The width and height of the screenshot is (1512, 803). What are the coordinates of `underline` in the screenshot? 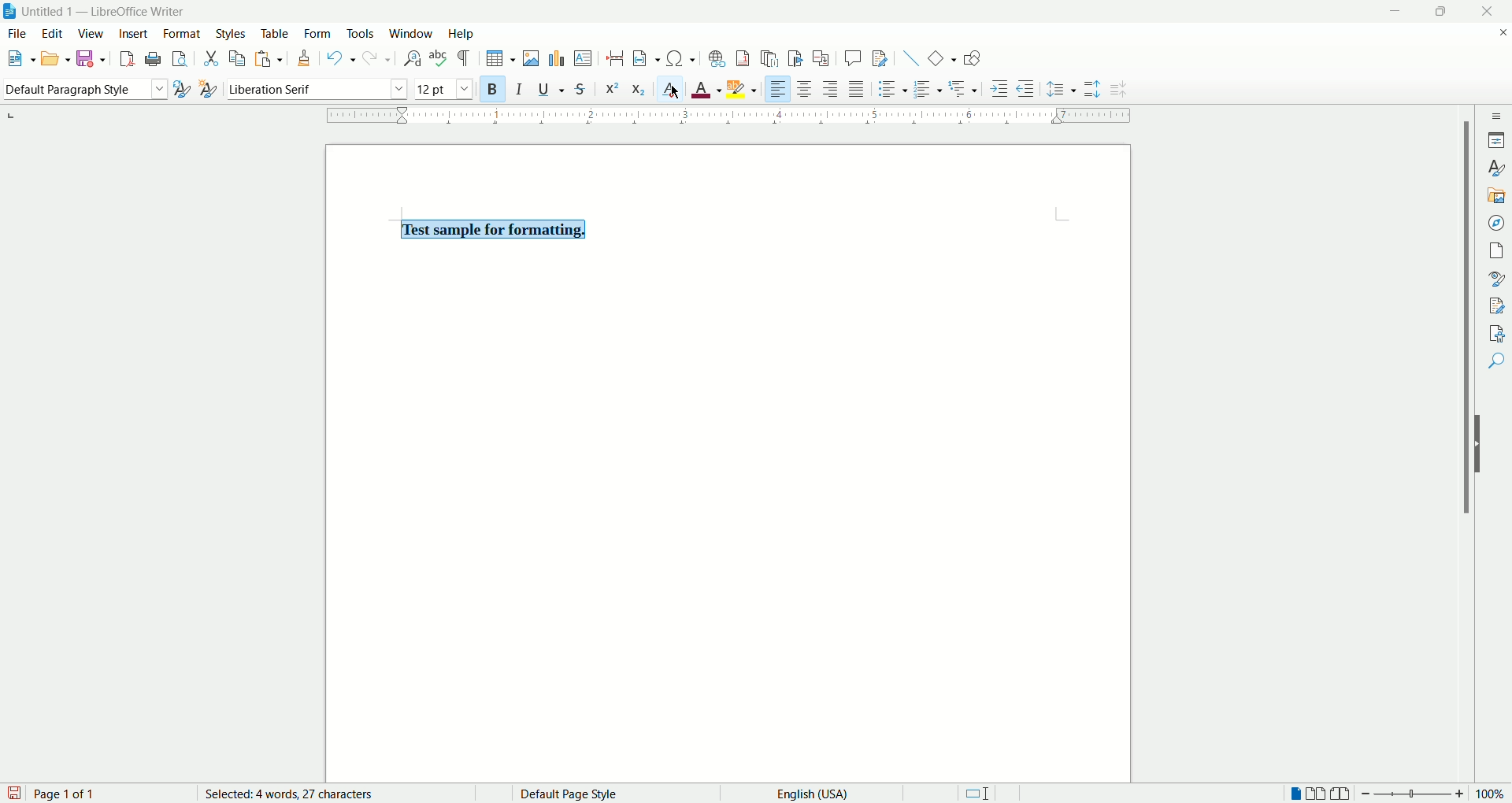 It's located at (551, 90).